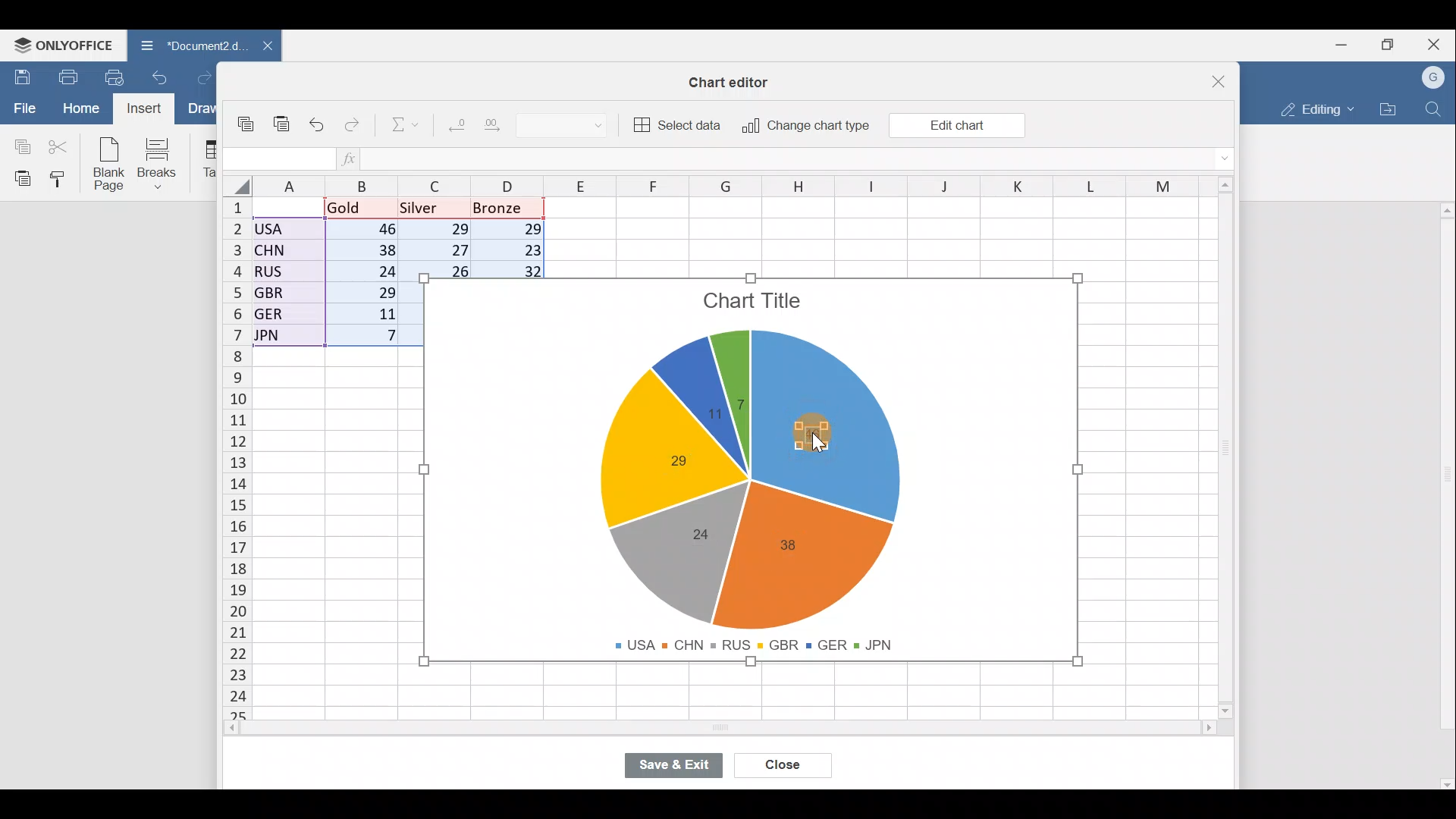  I want to click on Document name, so click(188, 47).